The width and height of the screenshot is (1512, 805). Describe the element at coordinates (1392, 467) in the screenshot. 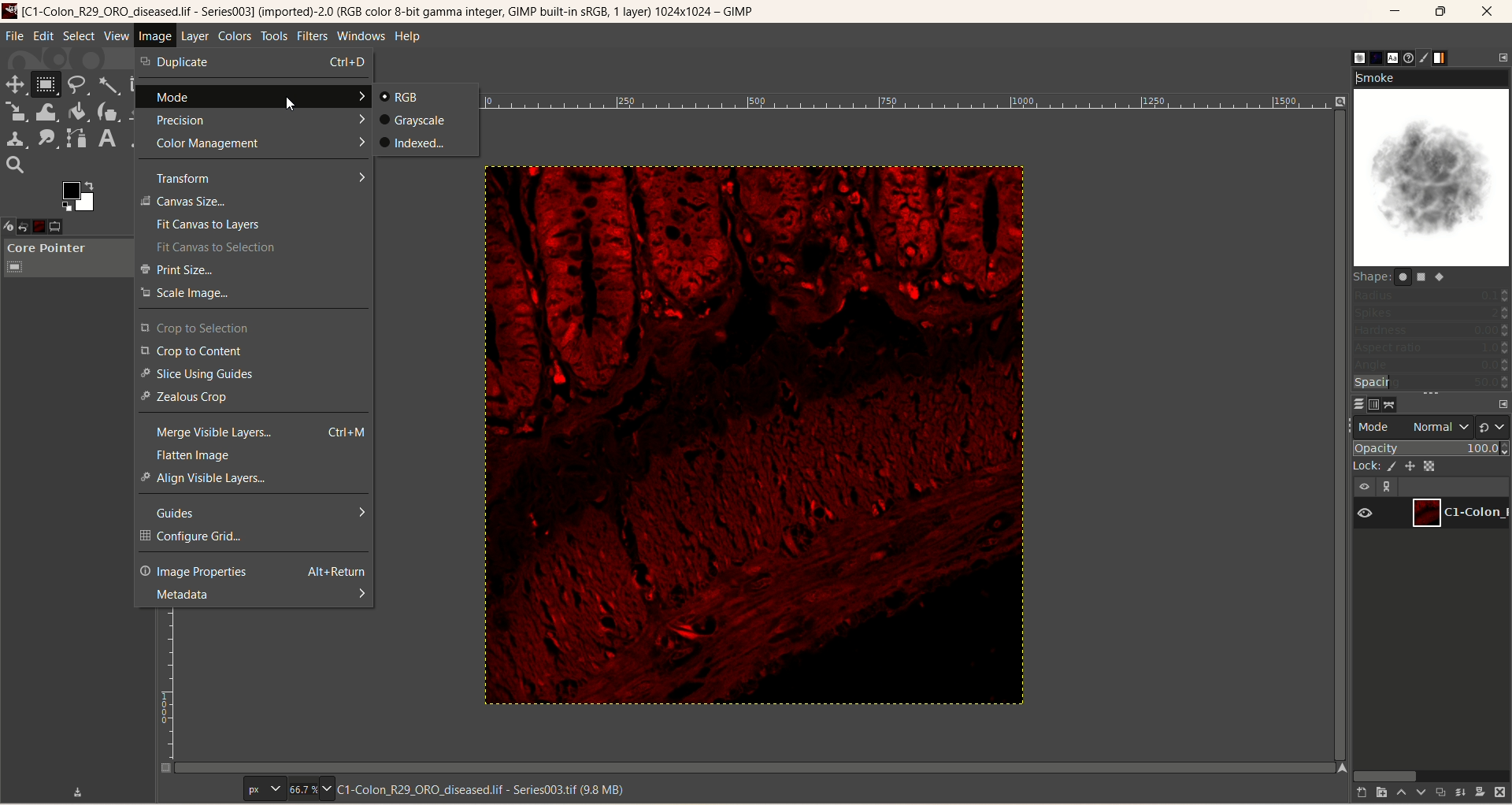

I see `lock pixel` at that location.